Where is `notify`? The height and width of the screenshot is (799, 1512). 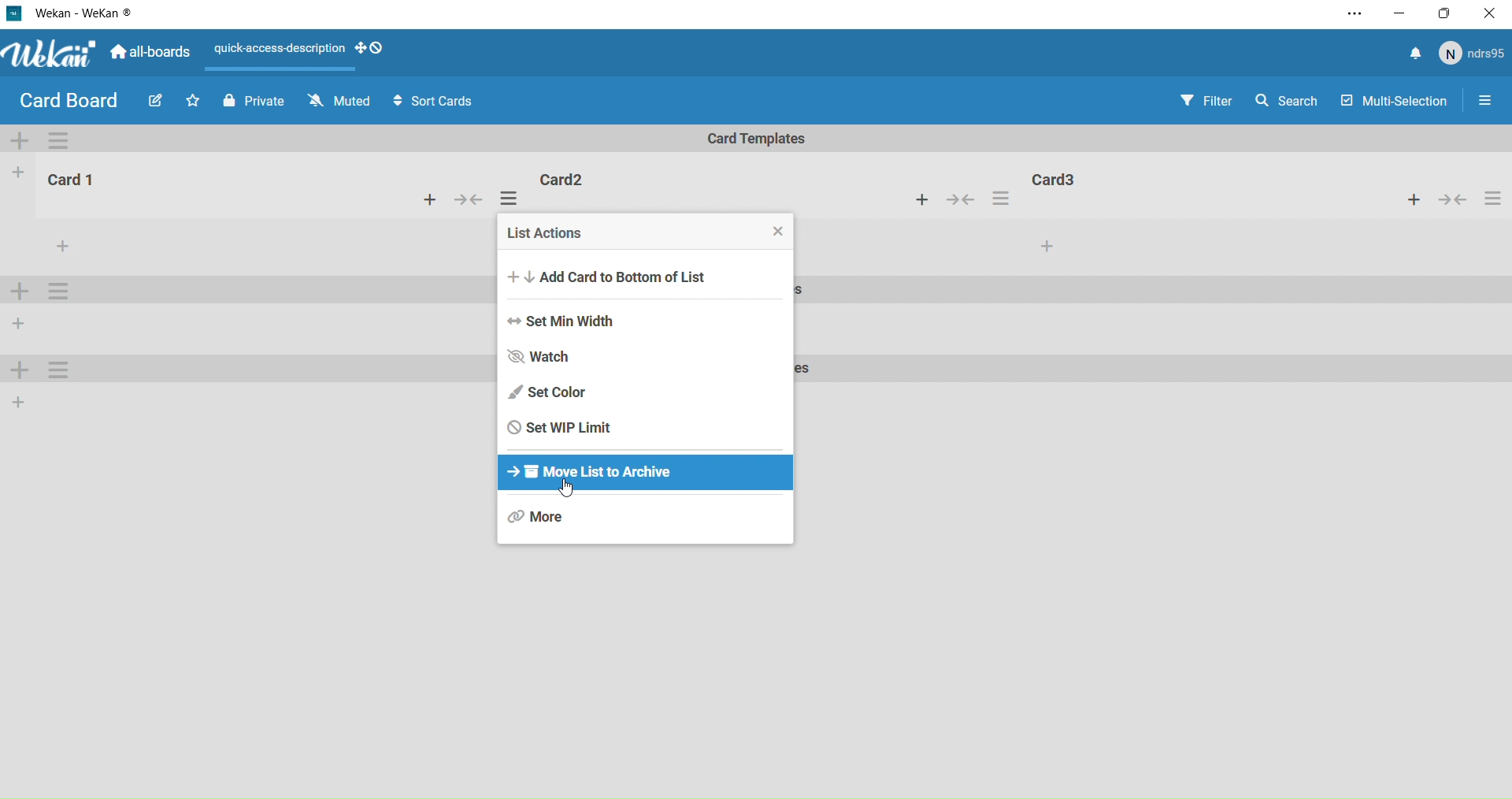
notify is located at coordinates (1414, 55).